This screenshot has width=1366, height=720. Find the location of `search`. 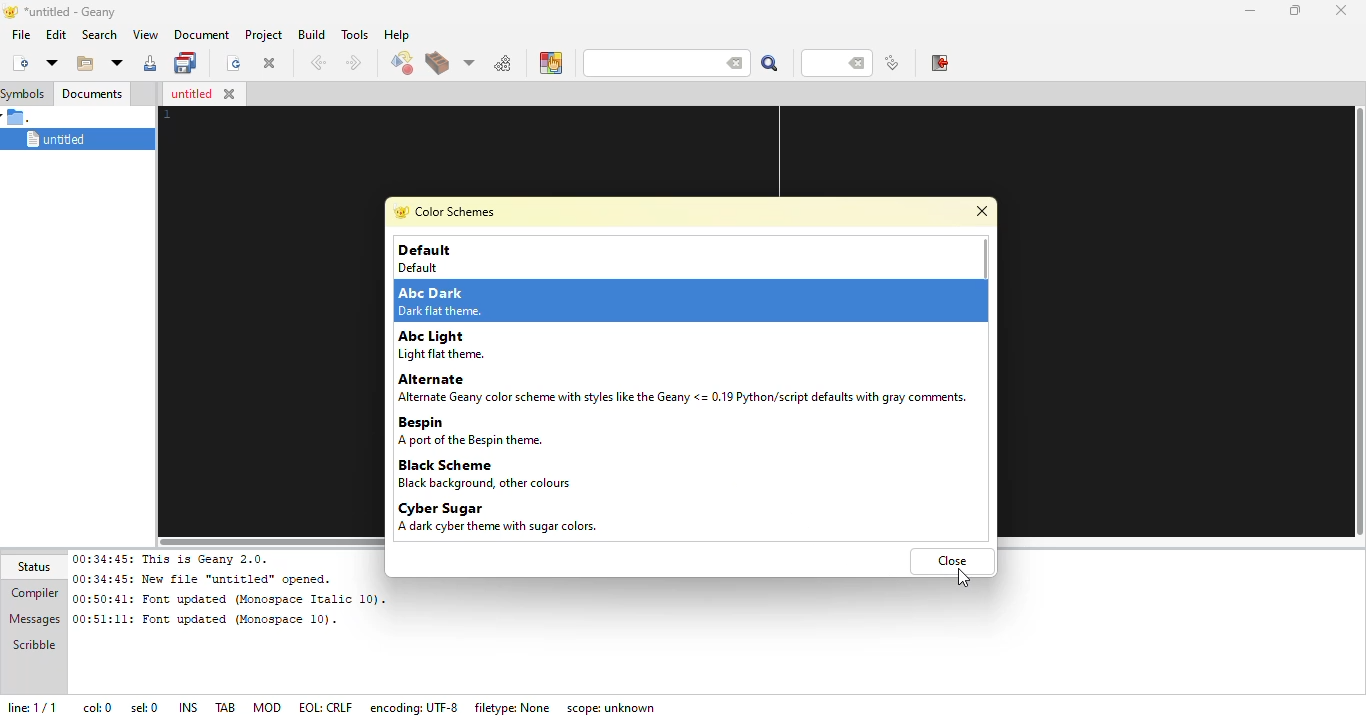

search is located at coordinates (97, 34).